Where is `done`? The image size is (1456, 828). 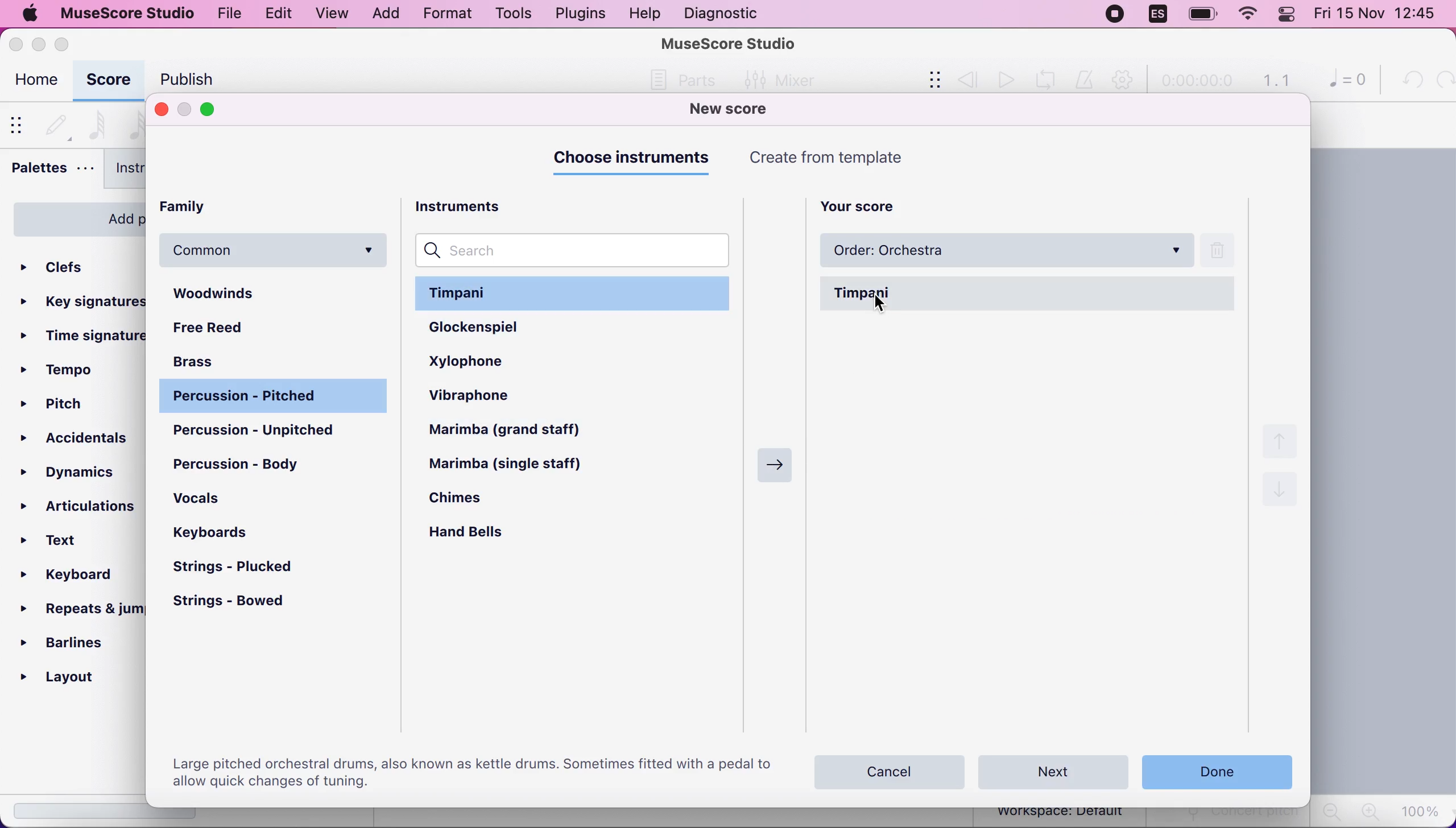 done is located at coordinates (1215, 769).